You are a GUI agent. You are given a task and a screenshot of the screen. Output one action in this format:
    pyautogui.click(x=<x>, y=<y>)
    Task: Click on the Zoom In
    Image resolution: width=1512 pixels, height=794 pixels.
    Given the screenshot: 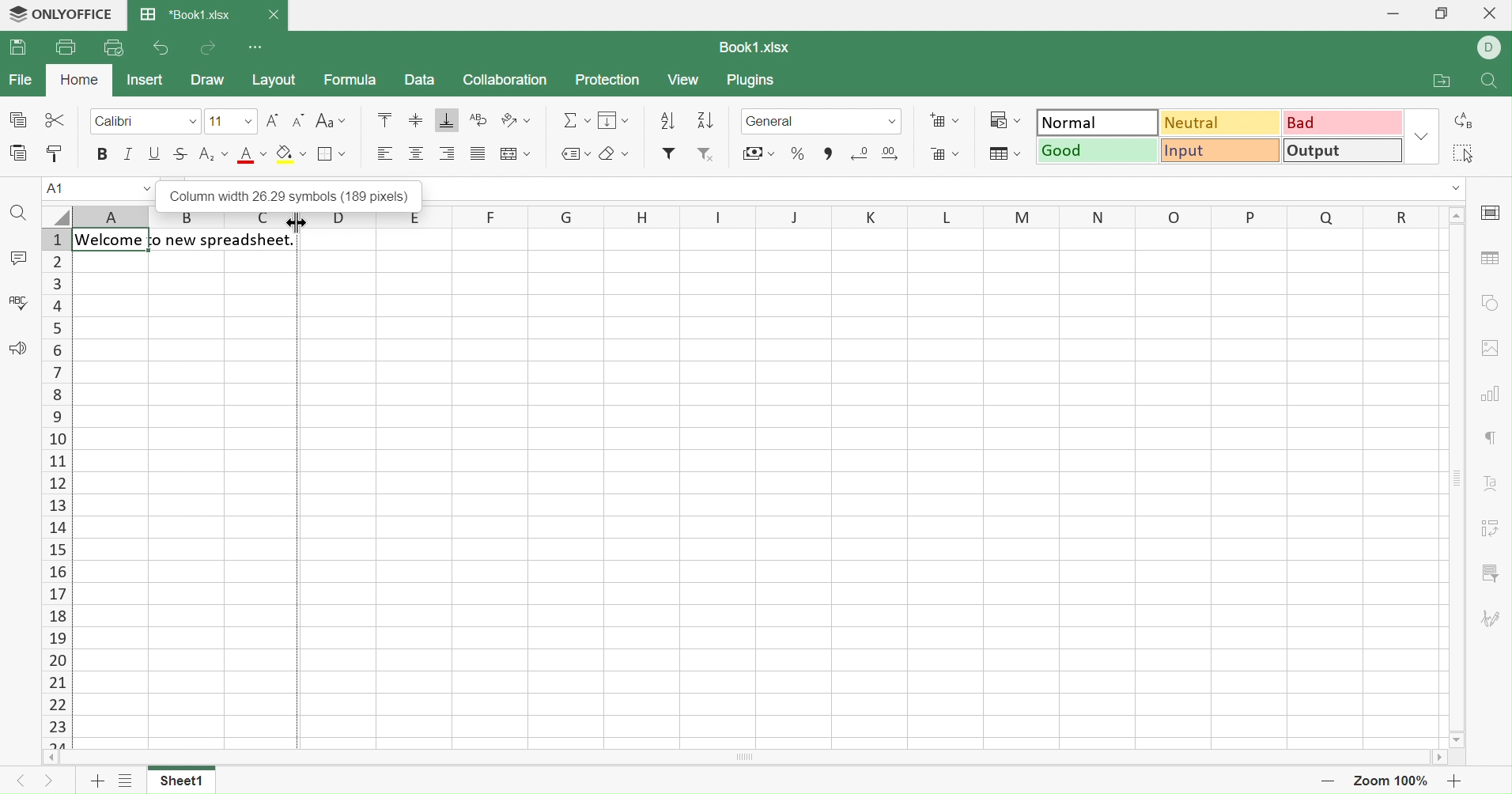 What is the action you would take?
    pyautogui.click(x=1452, y=781)
    